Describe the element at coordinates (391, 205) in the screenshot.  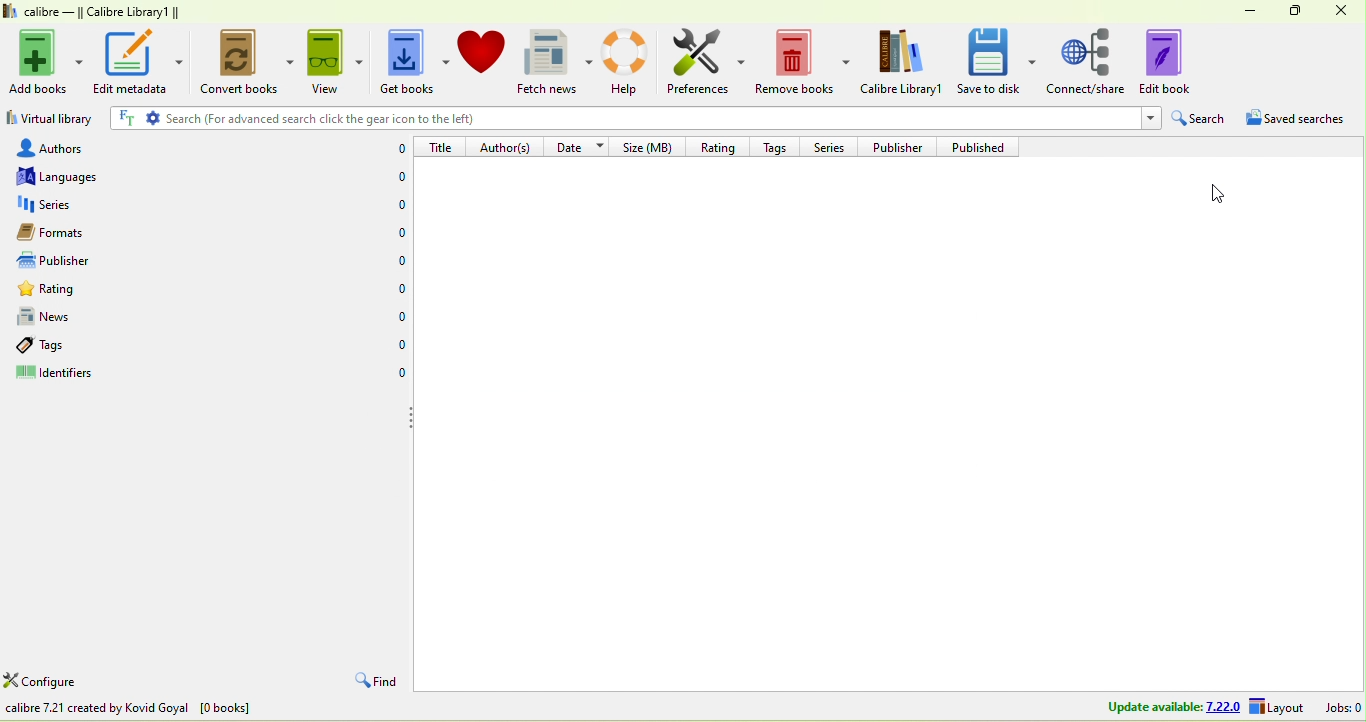
I see `0` at that location.